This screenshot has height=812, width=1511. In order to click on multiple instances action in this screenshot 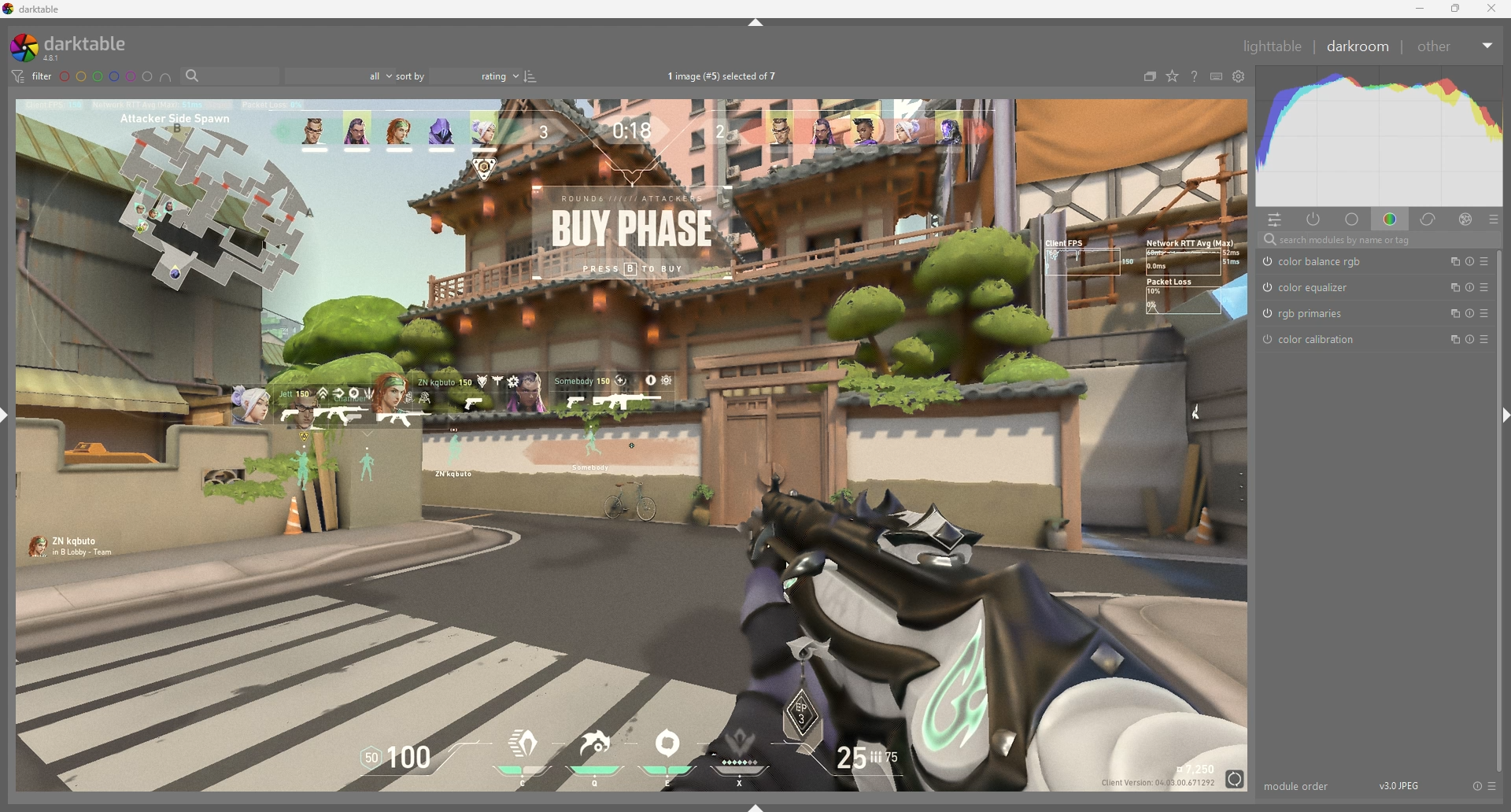, I will do `click(1451, 314)`.